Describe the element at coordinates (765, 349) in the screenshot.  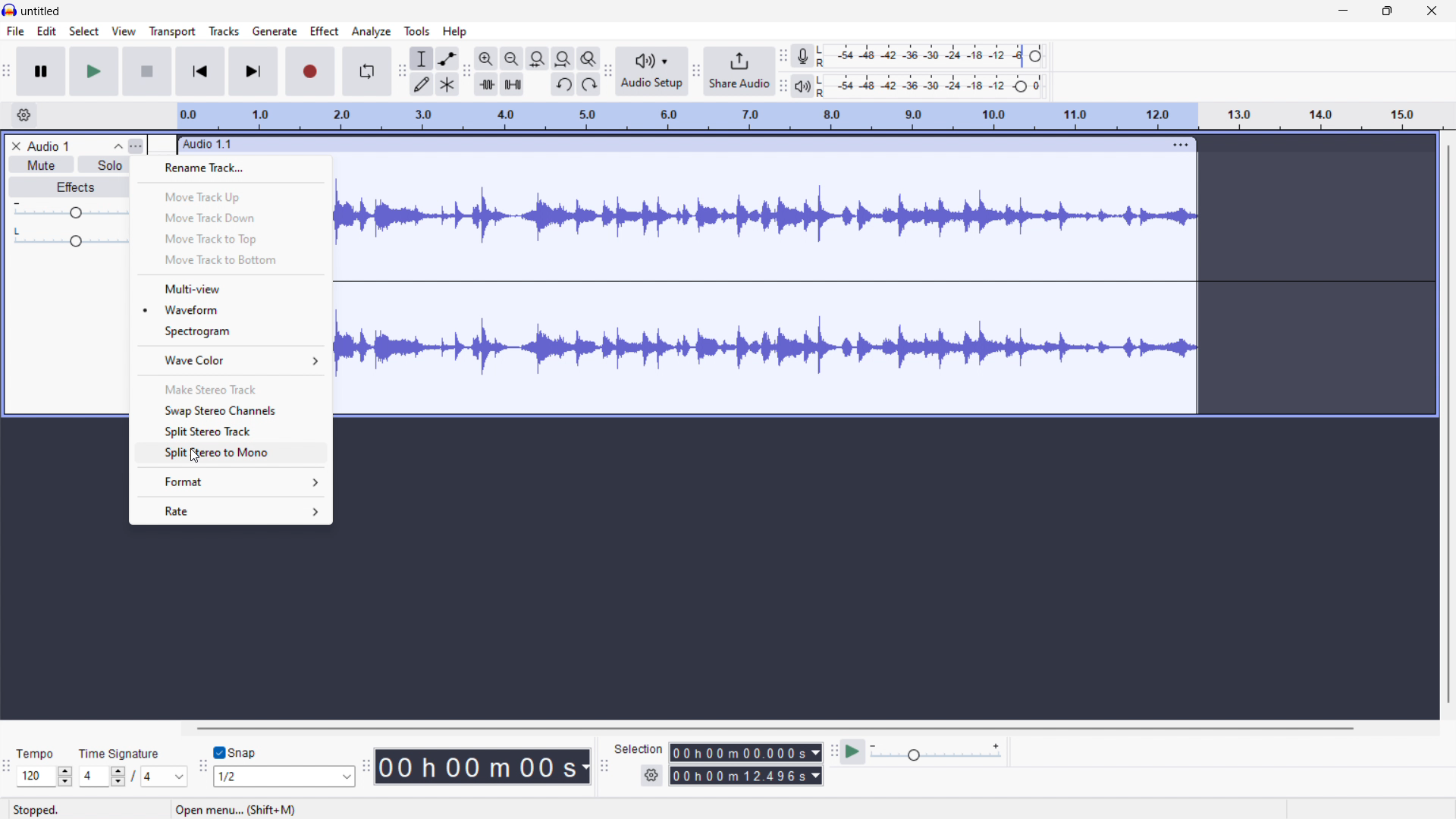
I see `stereo waveform` at that location.